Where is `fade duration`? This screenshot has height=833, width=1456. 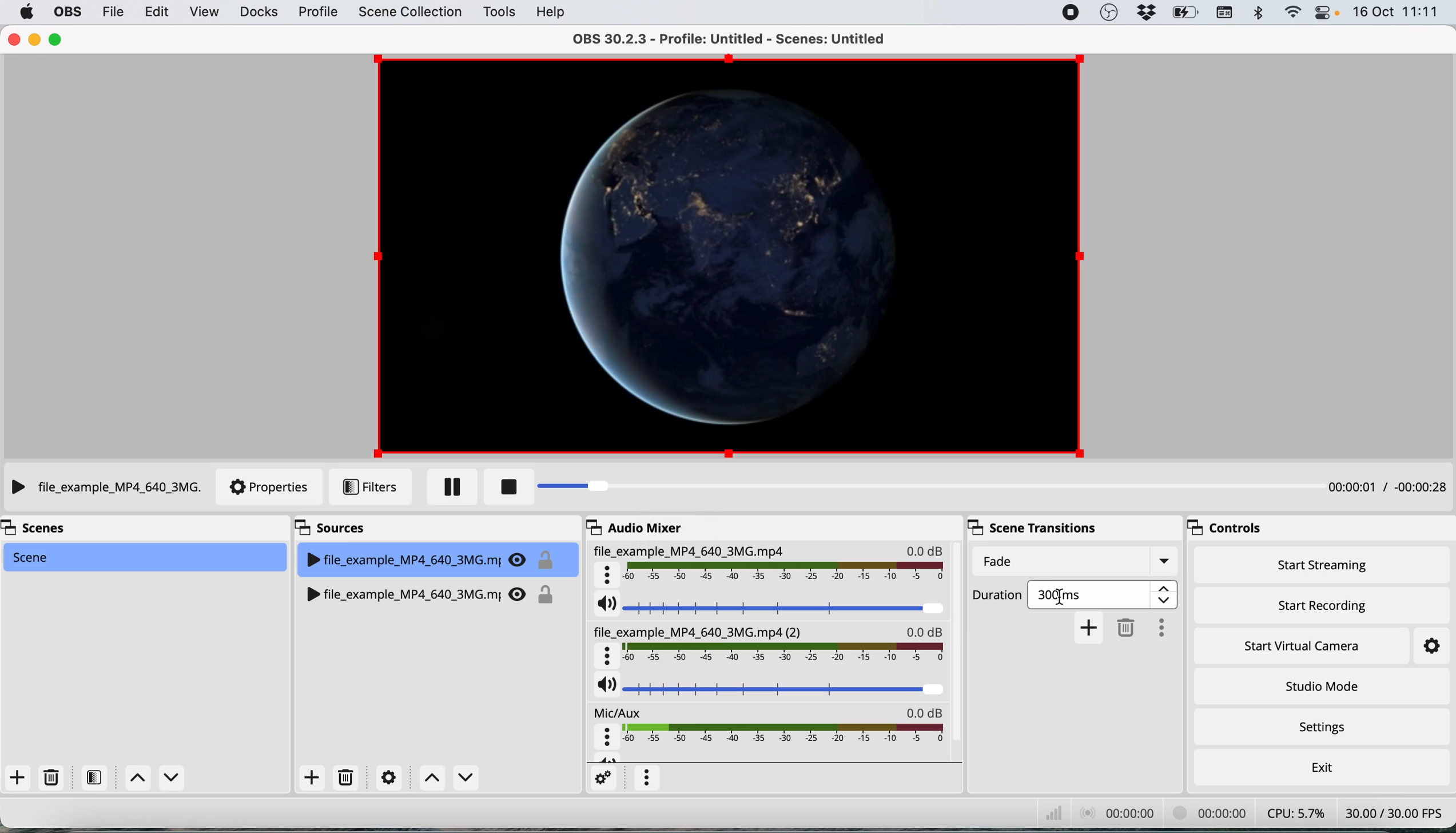 fade duration is located at coordinates (1075, 595).